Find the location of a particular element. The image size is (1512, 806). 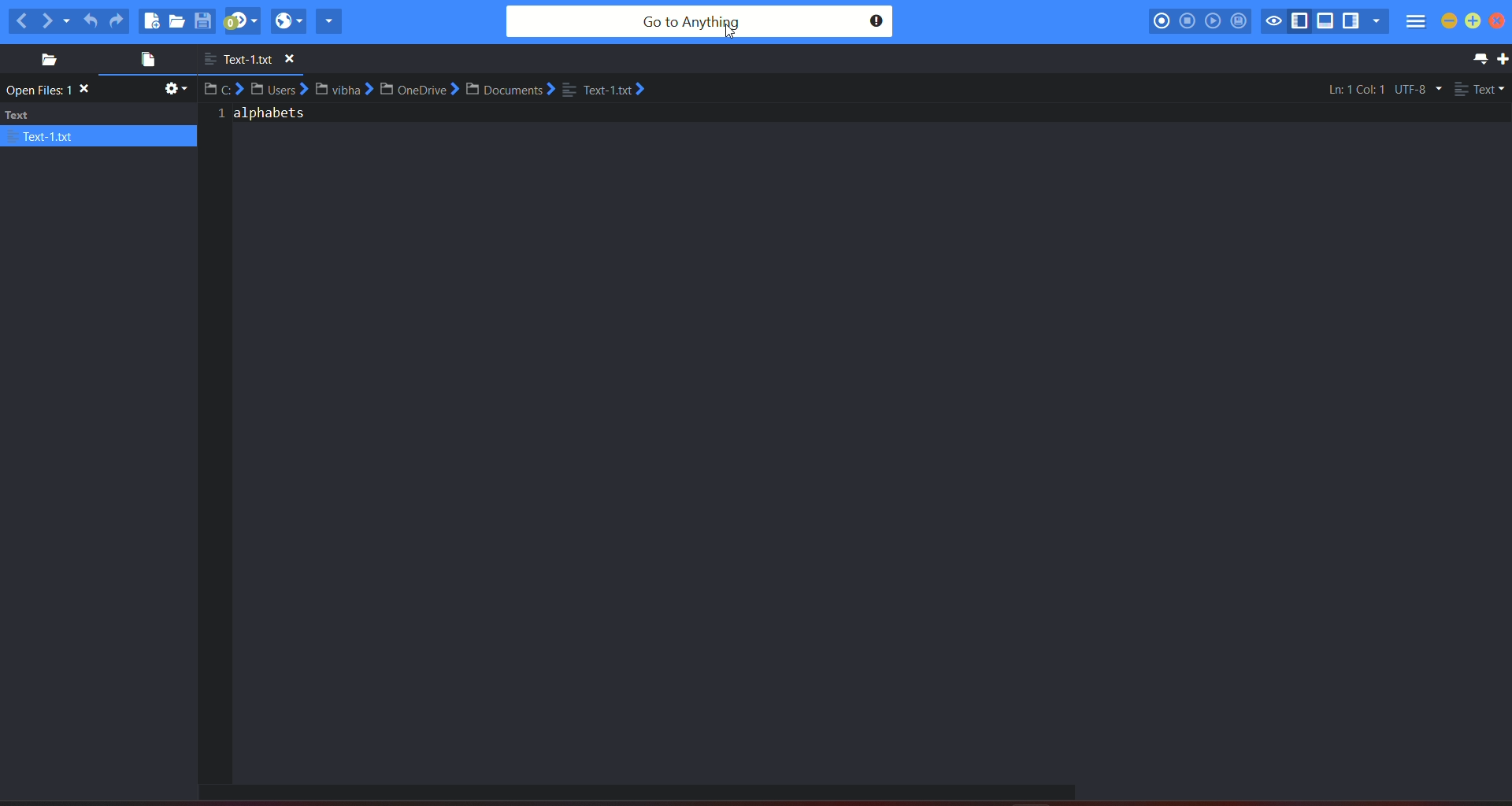

maximize is located at coordinates (1473, 23).